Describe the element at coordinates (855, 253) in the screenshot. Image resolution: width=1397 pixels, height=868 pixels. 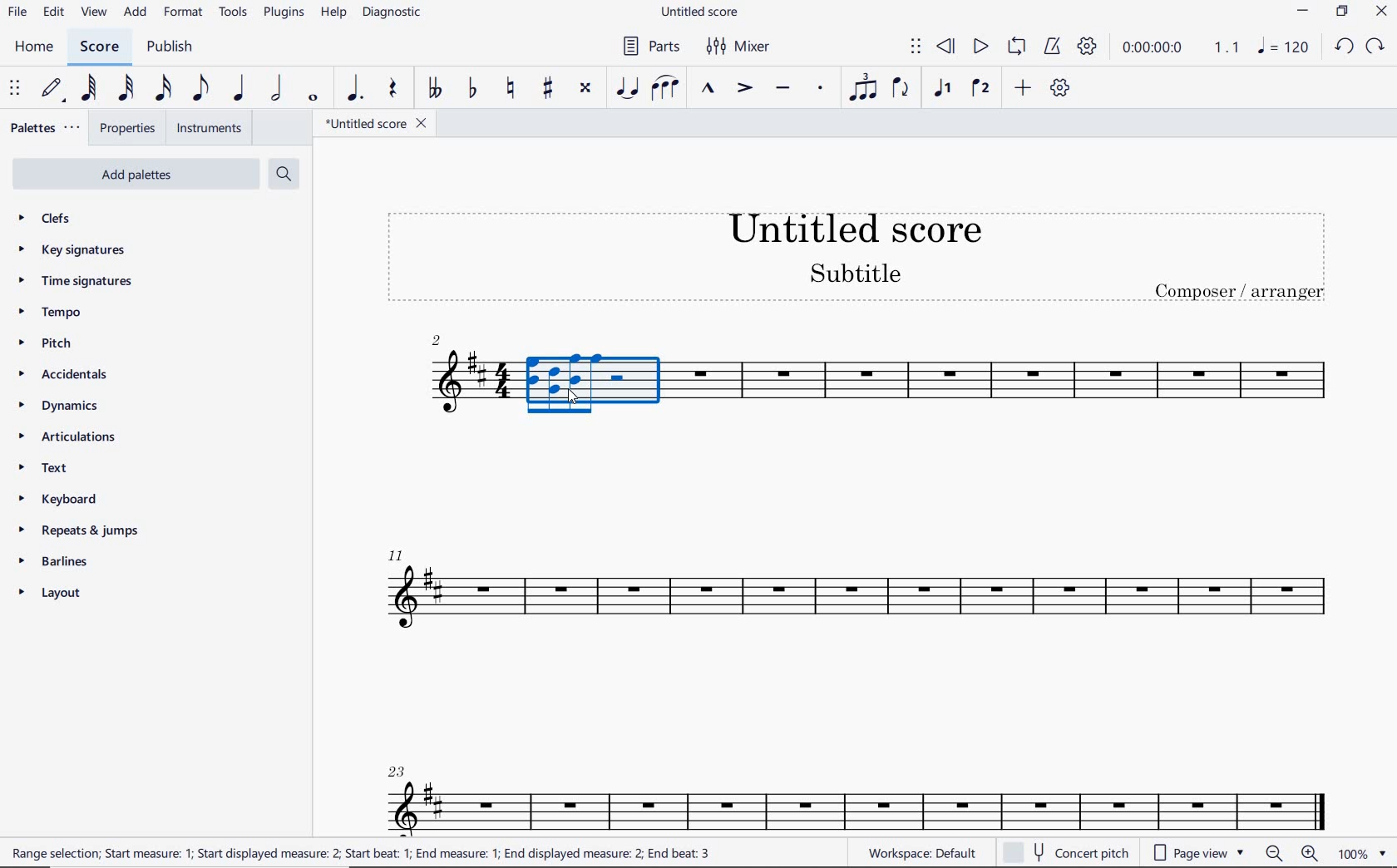
I see `title` at that location.